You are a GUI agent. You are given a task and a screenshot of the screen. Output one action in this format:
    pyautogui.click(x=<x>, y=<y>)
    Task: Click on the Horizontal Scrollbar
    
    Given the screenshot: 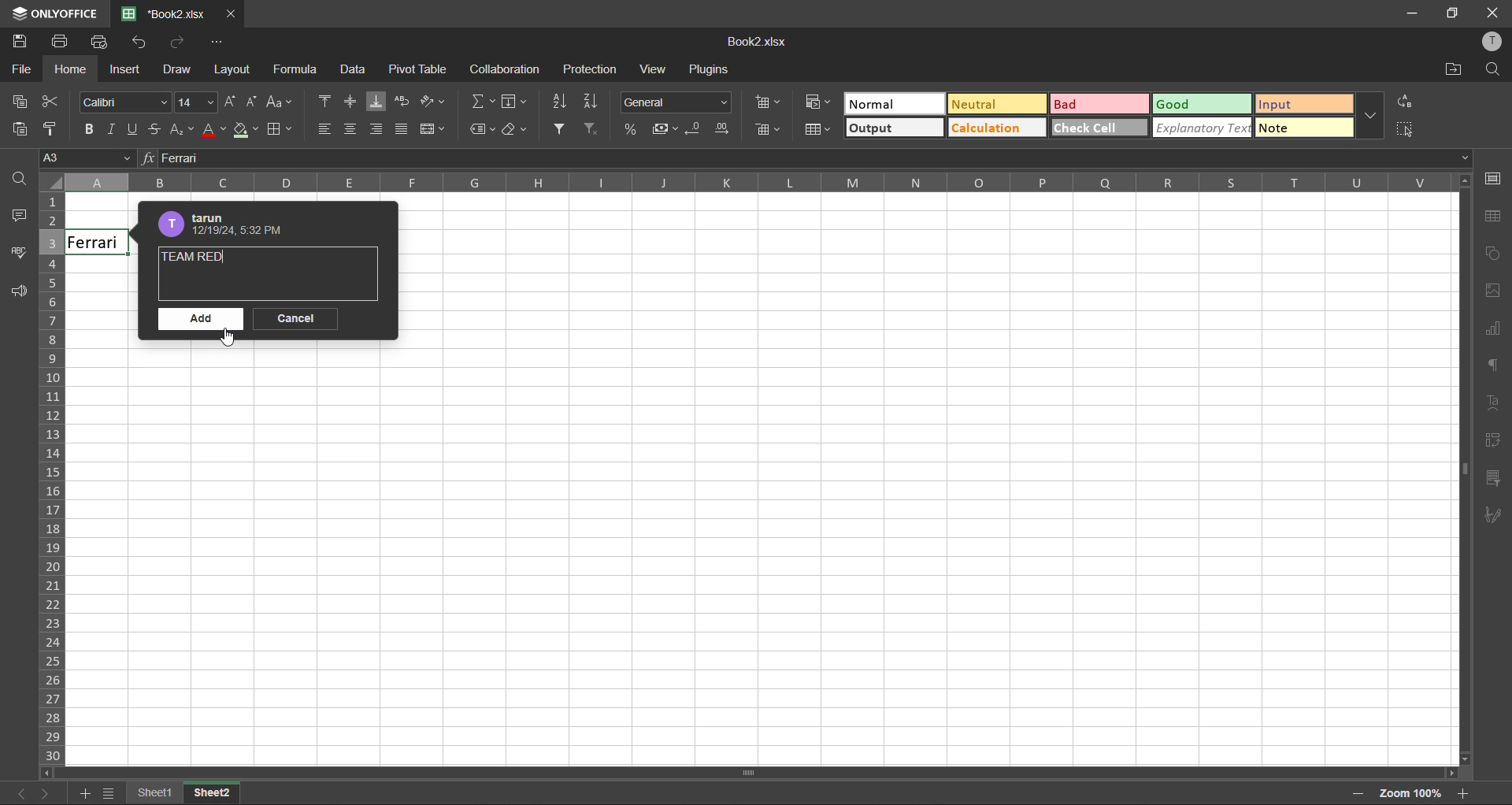 What is the action you would take?
    pyautogui.click(x=1454, y=474)
    